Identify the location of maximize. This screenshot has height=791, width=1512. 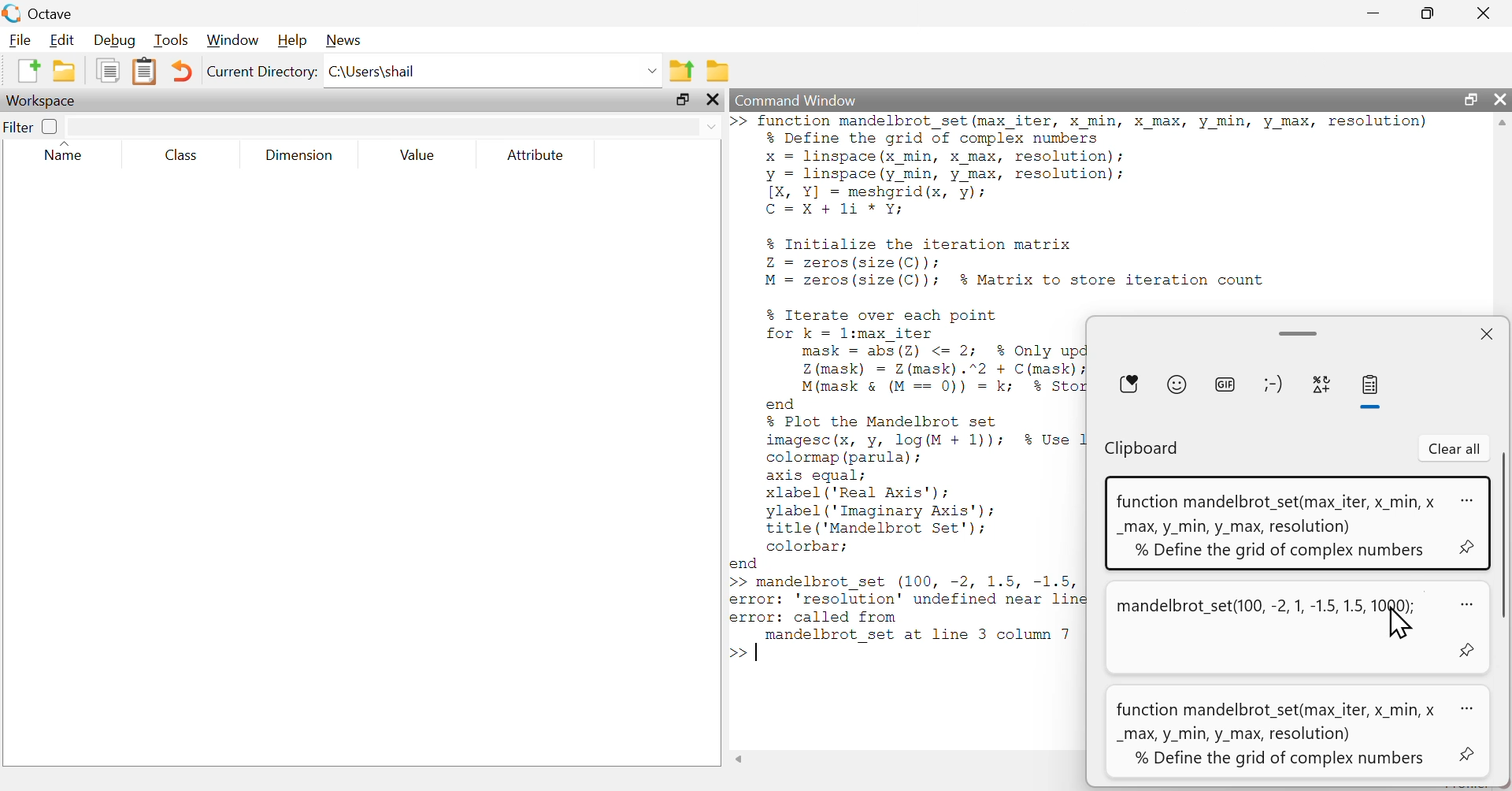
(1471, 100).